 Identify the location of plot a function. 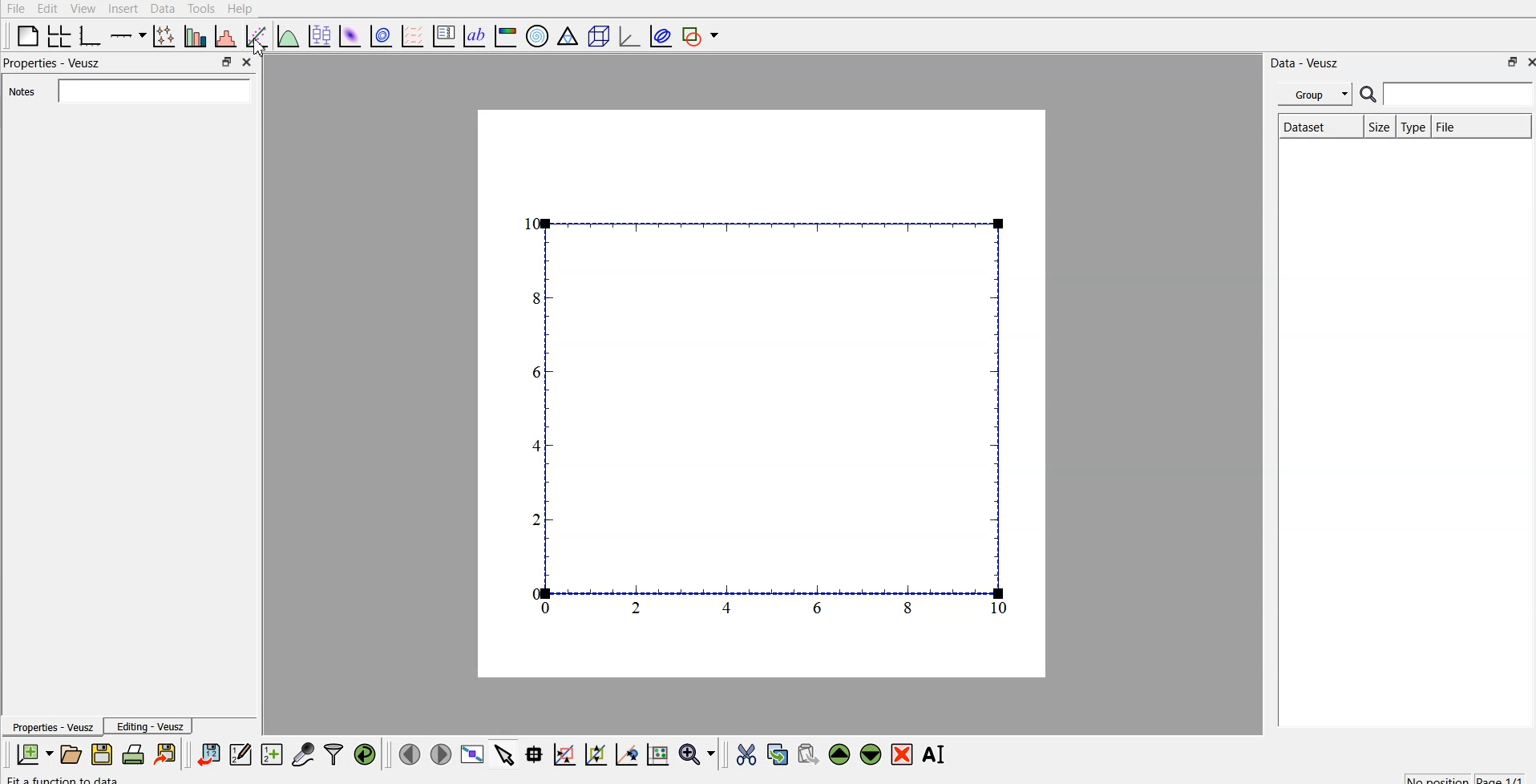
(287, 38).